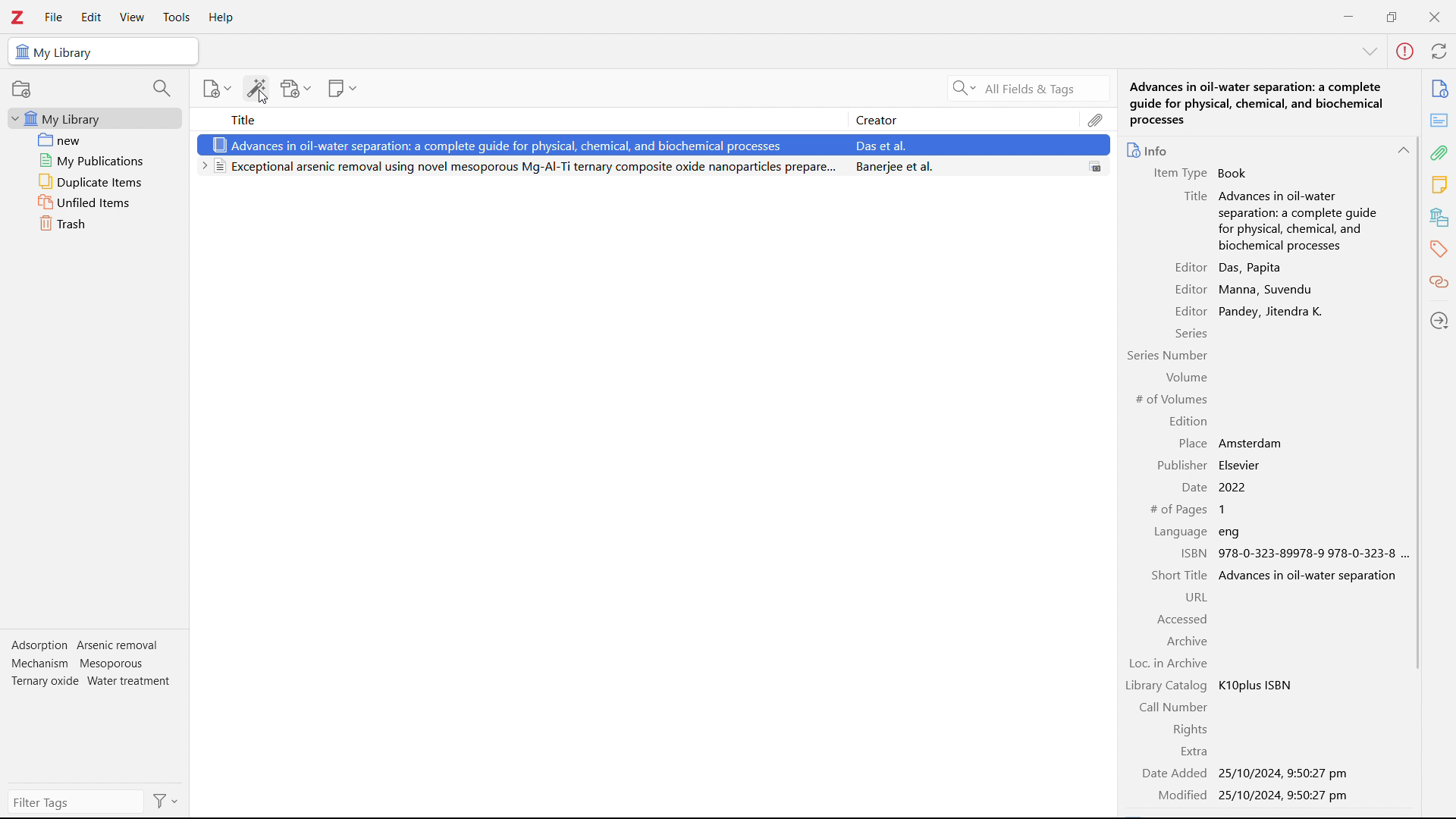  Describe the element at coordinates (1439, 121) in the screenshot. I see `abstract` at that location.